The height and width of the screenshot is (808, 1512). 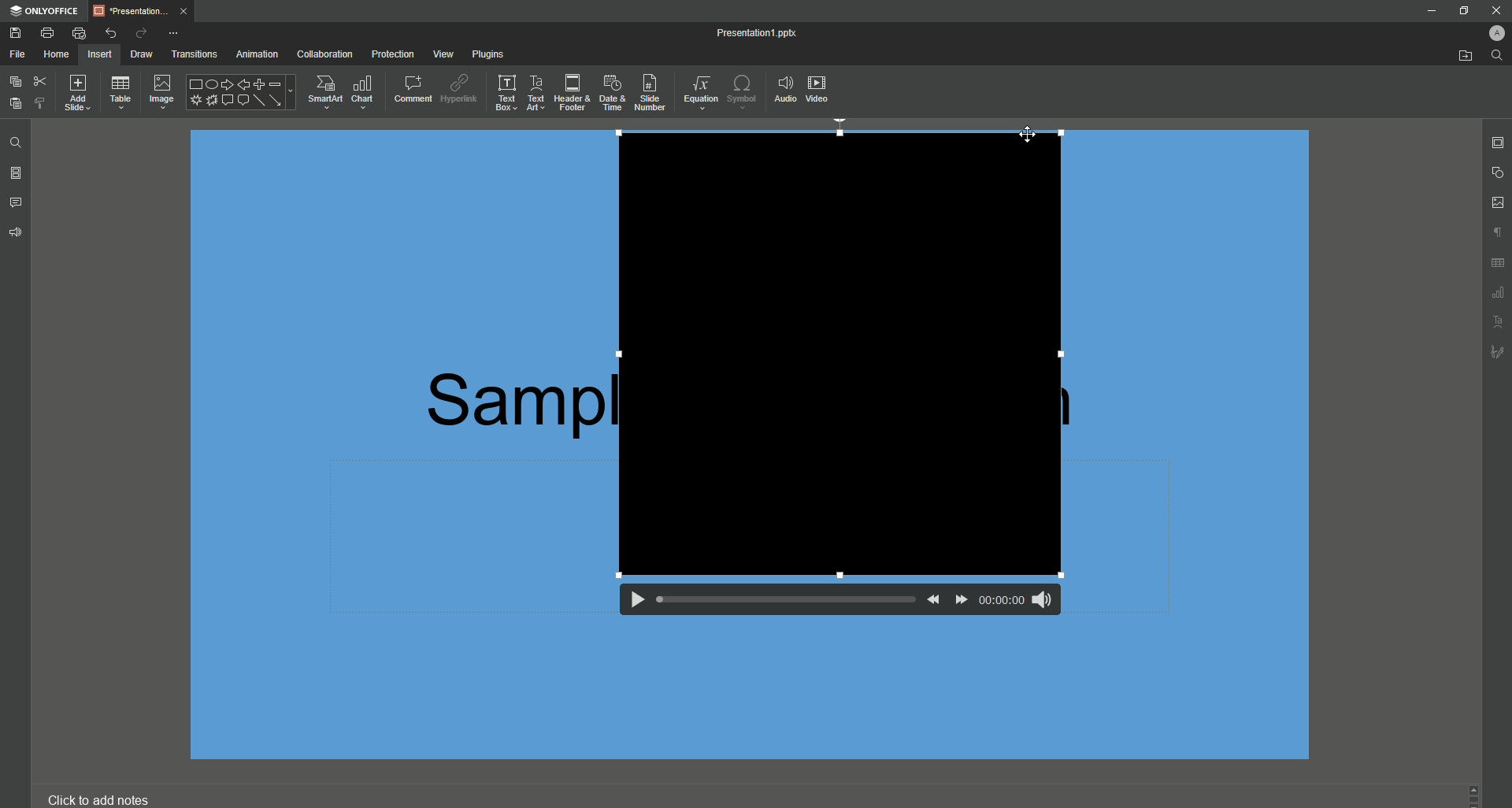 I want to click on Profile, so click(x=1495, y=34).